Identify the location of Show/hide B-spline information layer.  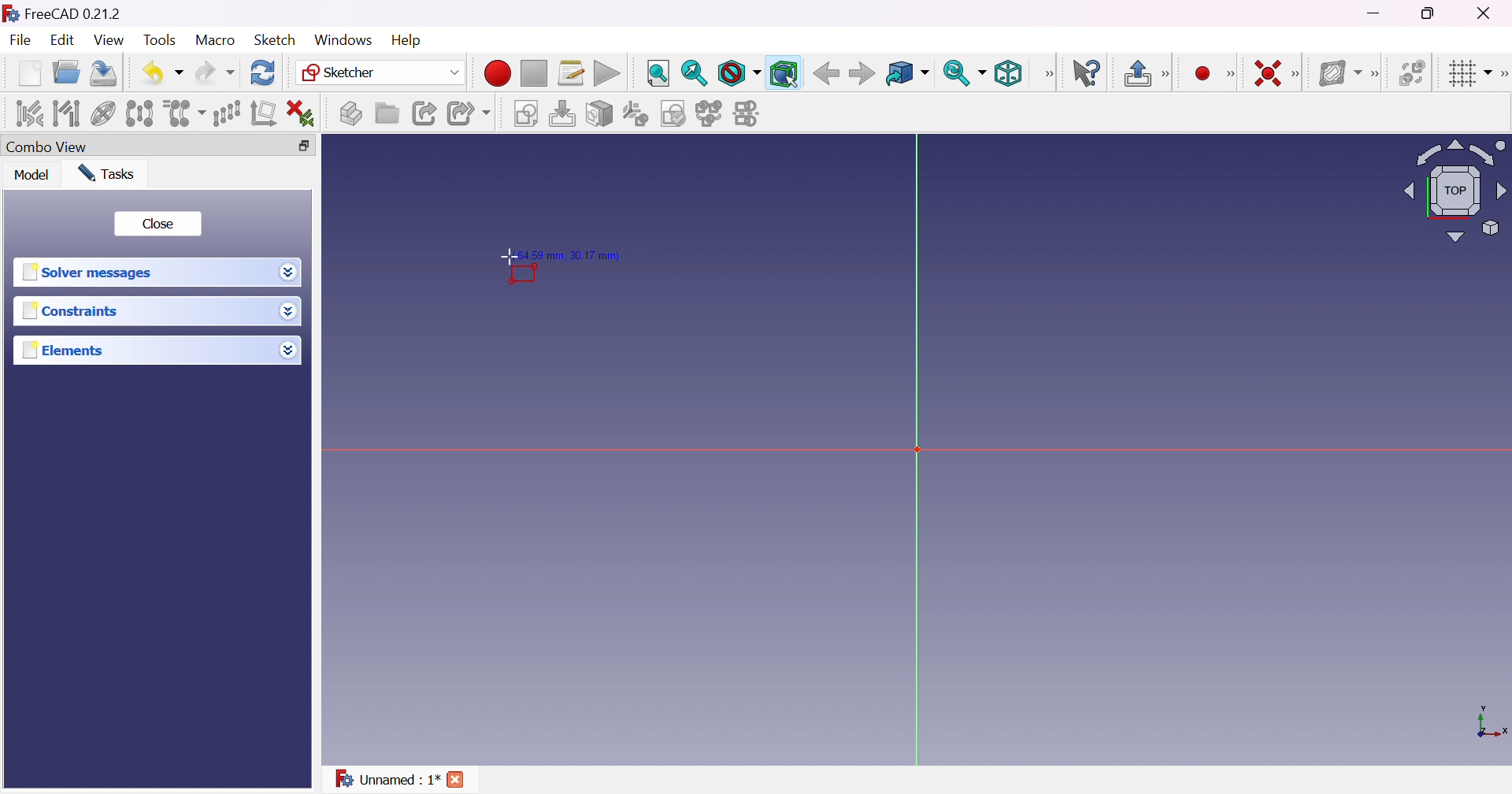
(1340, 72).